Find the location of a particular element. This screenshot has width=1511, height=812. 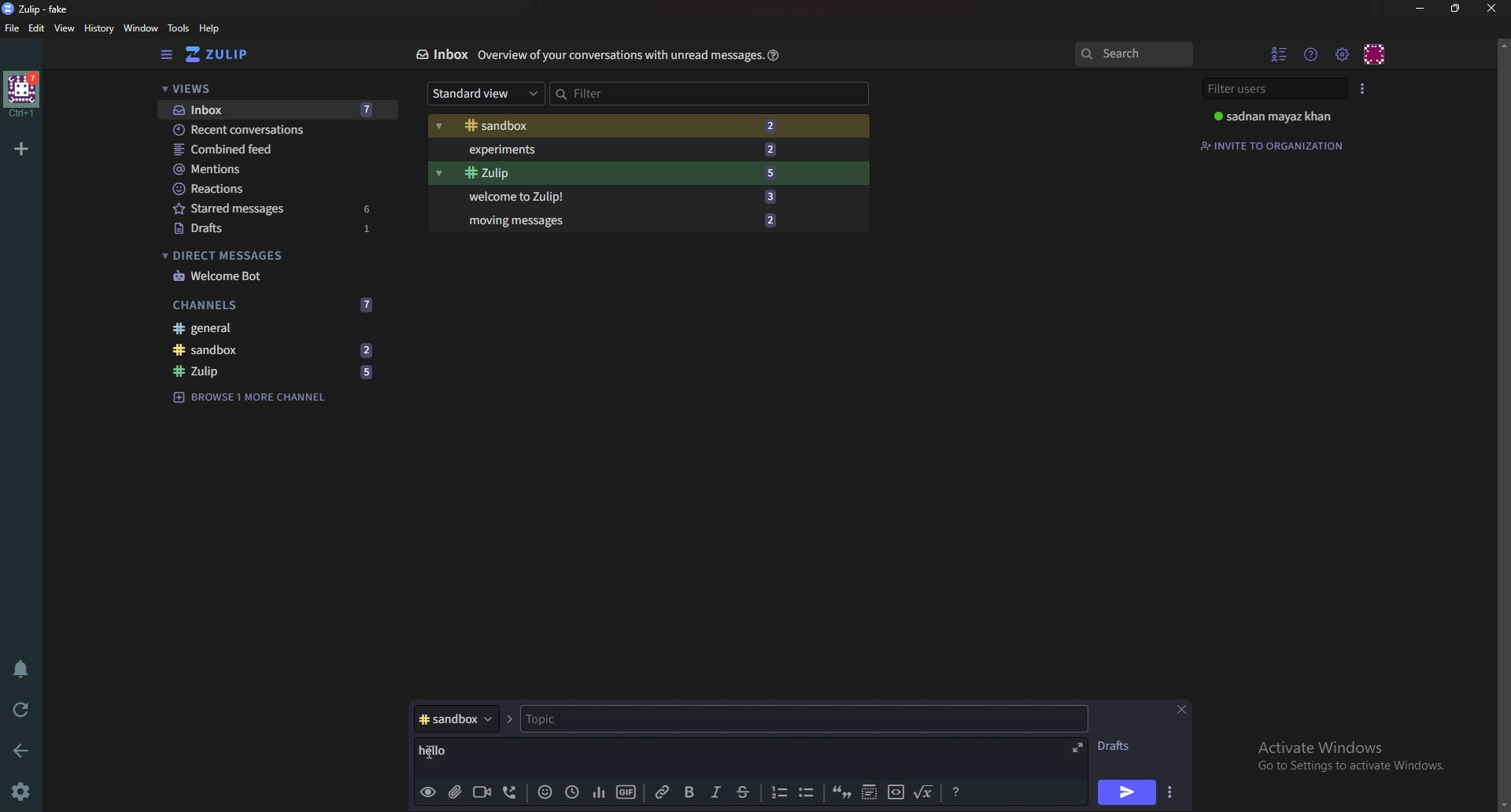

add file is located at coordinates (454, 793).